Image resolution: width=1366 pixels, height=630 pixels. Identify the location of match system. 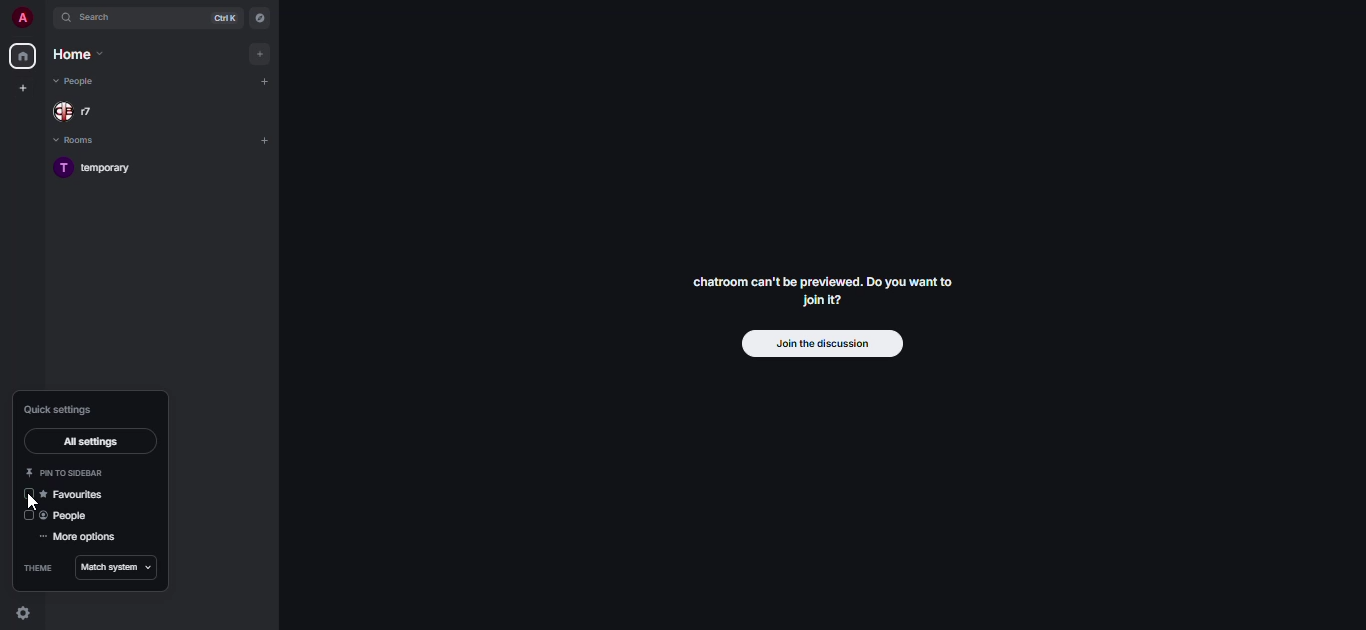
(117, 569).